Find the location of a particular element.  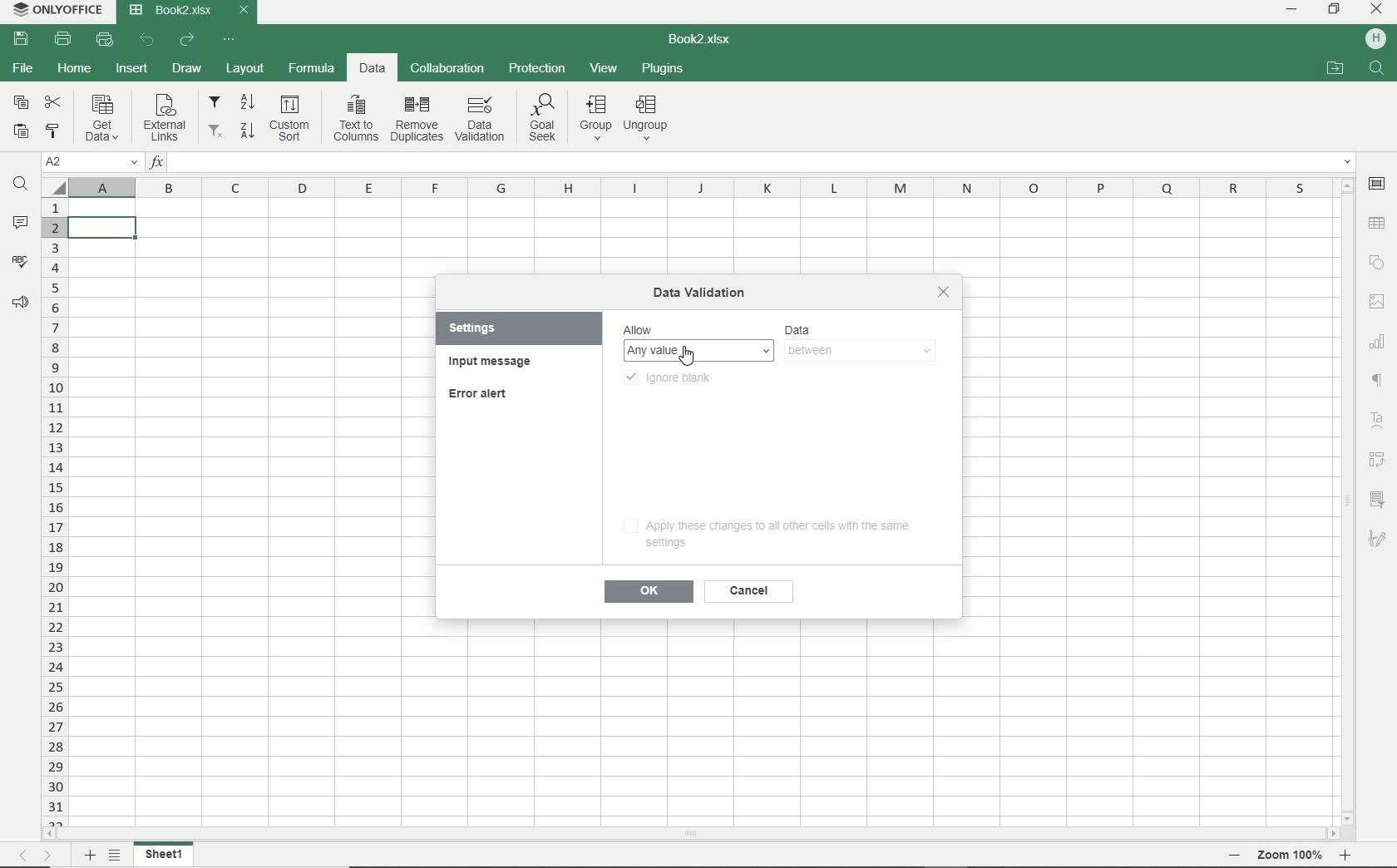

COPY is located at coordinates (20, 104).